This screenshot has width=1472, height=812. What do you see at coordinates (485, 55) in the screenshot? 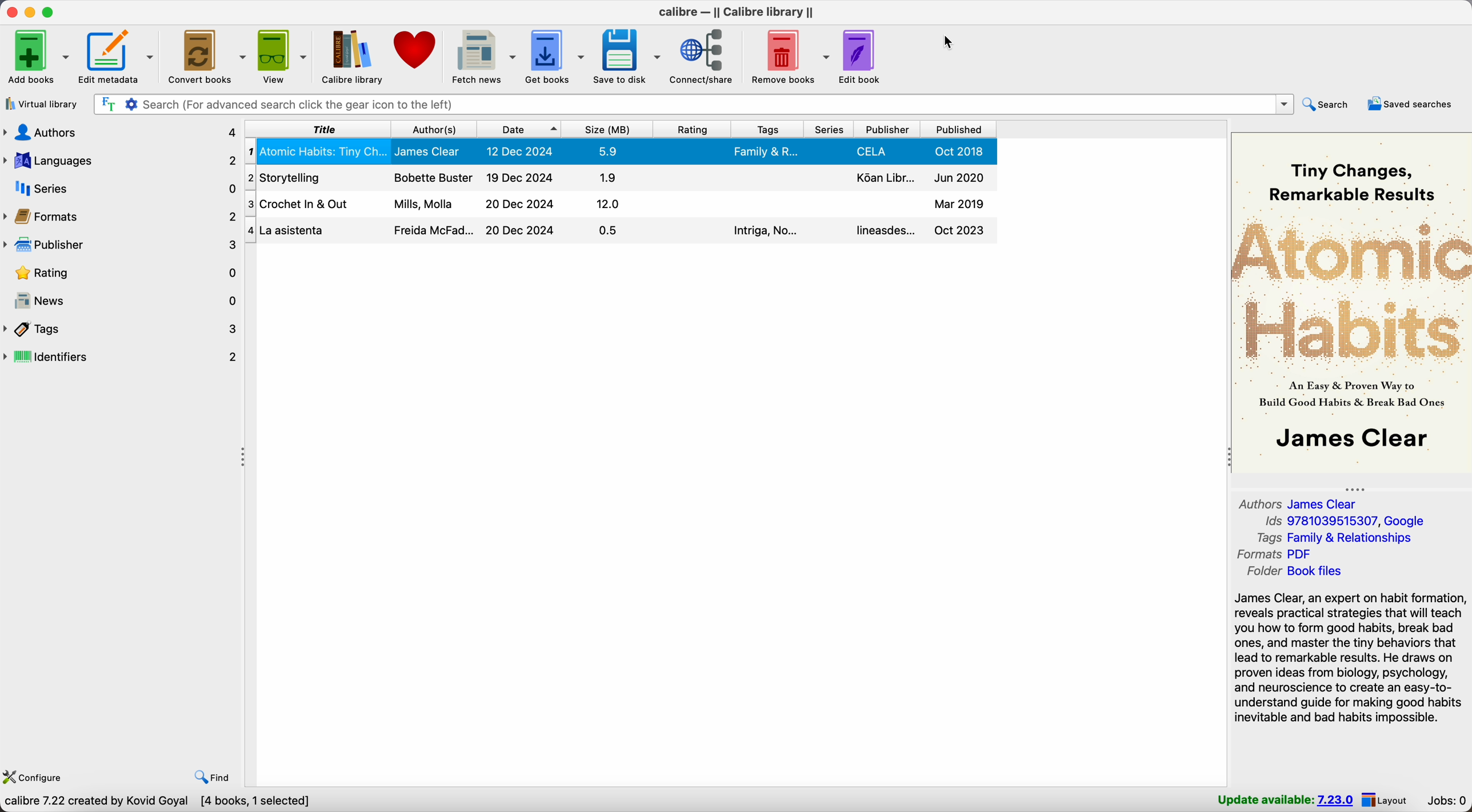
I see `fetch news` at bounding box center [485, 55].